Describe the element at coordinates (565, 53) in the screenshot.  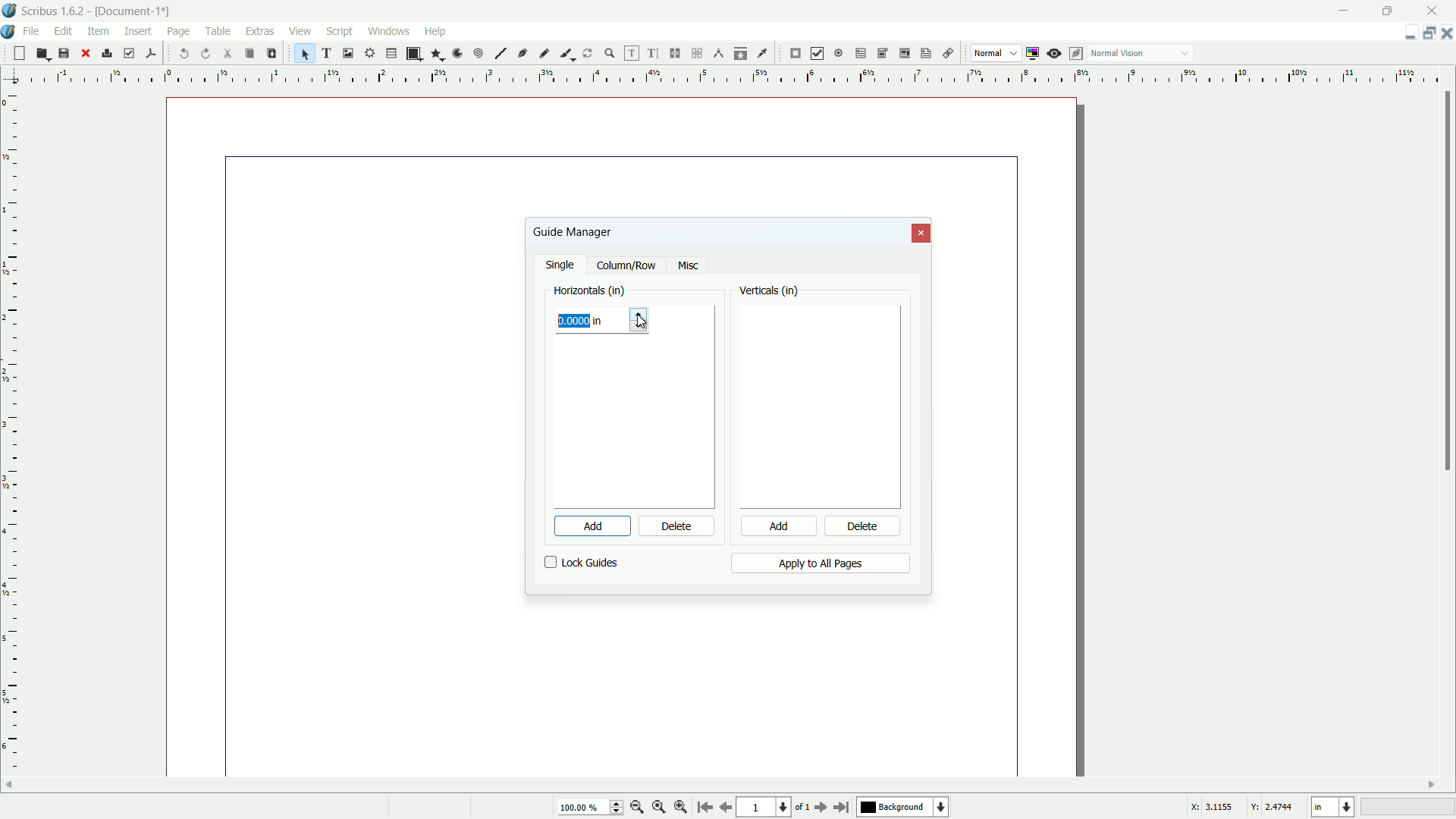
I see `calligraphic item` at that location.